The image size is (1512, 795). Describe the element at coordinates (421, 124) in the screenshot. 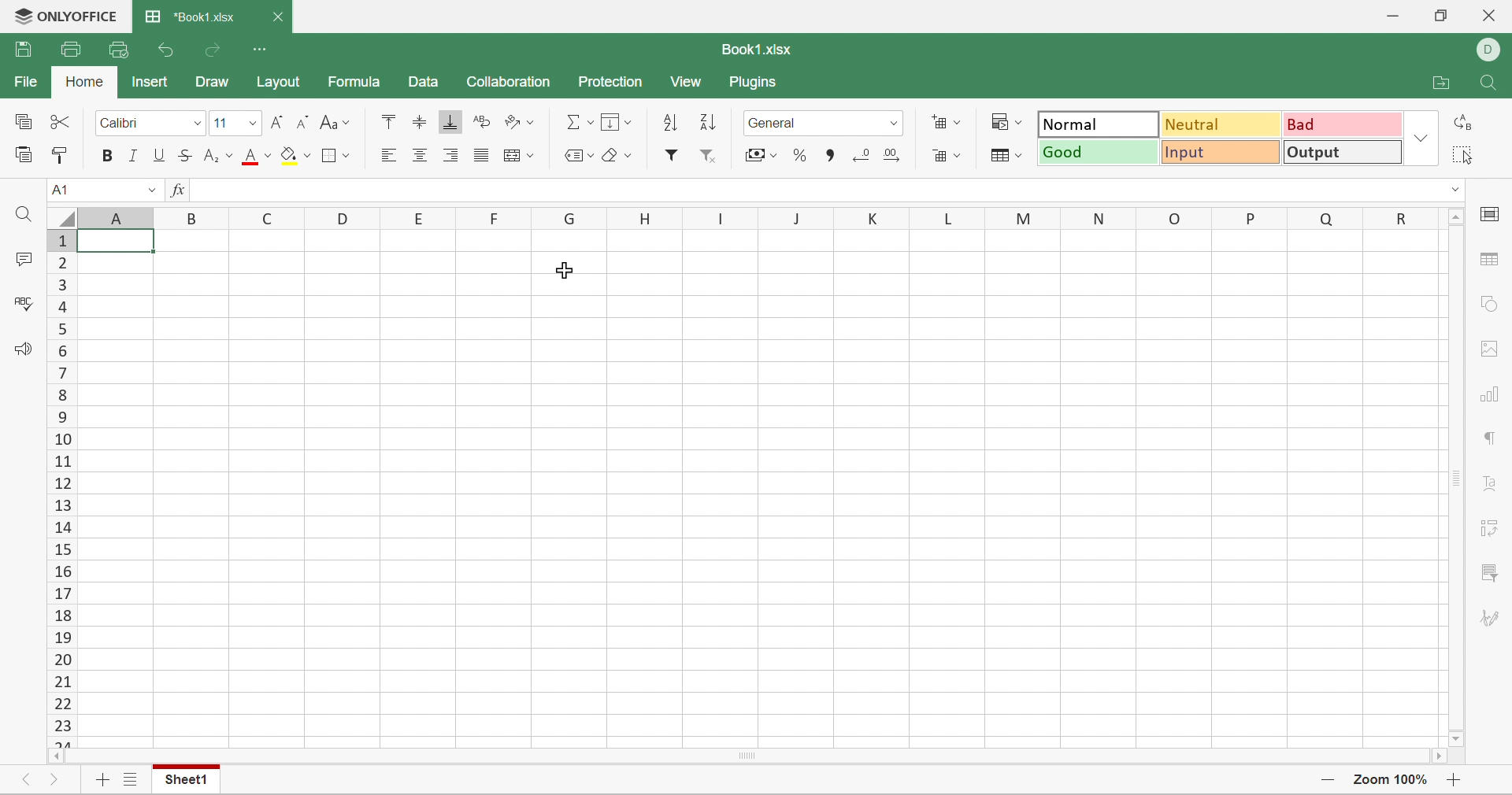

I see `Align Middle` at that location.